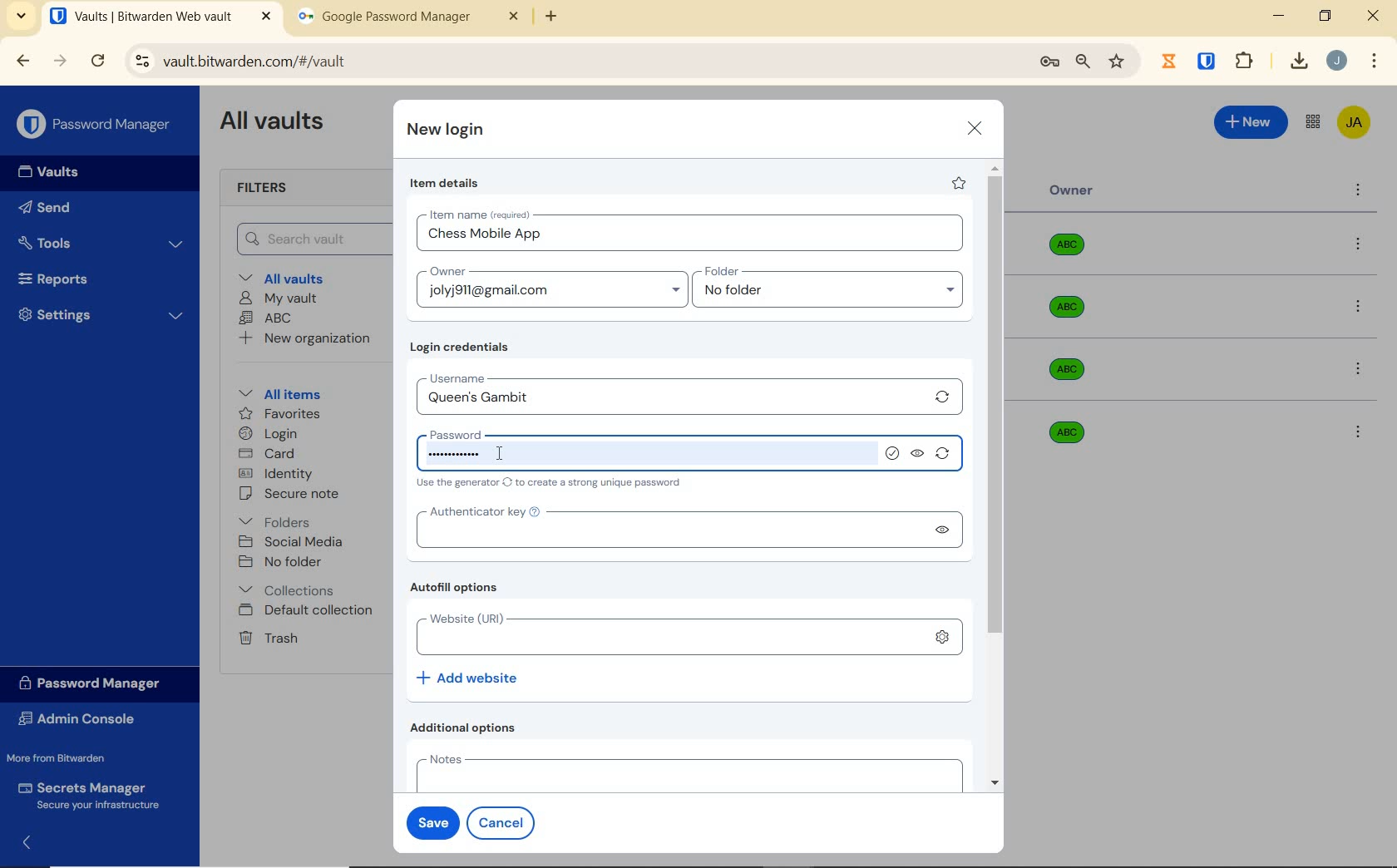 This screenshot has width=1397, height=868. I want to click on tab, so click(408, 20).